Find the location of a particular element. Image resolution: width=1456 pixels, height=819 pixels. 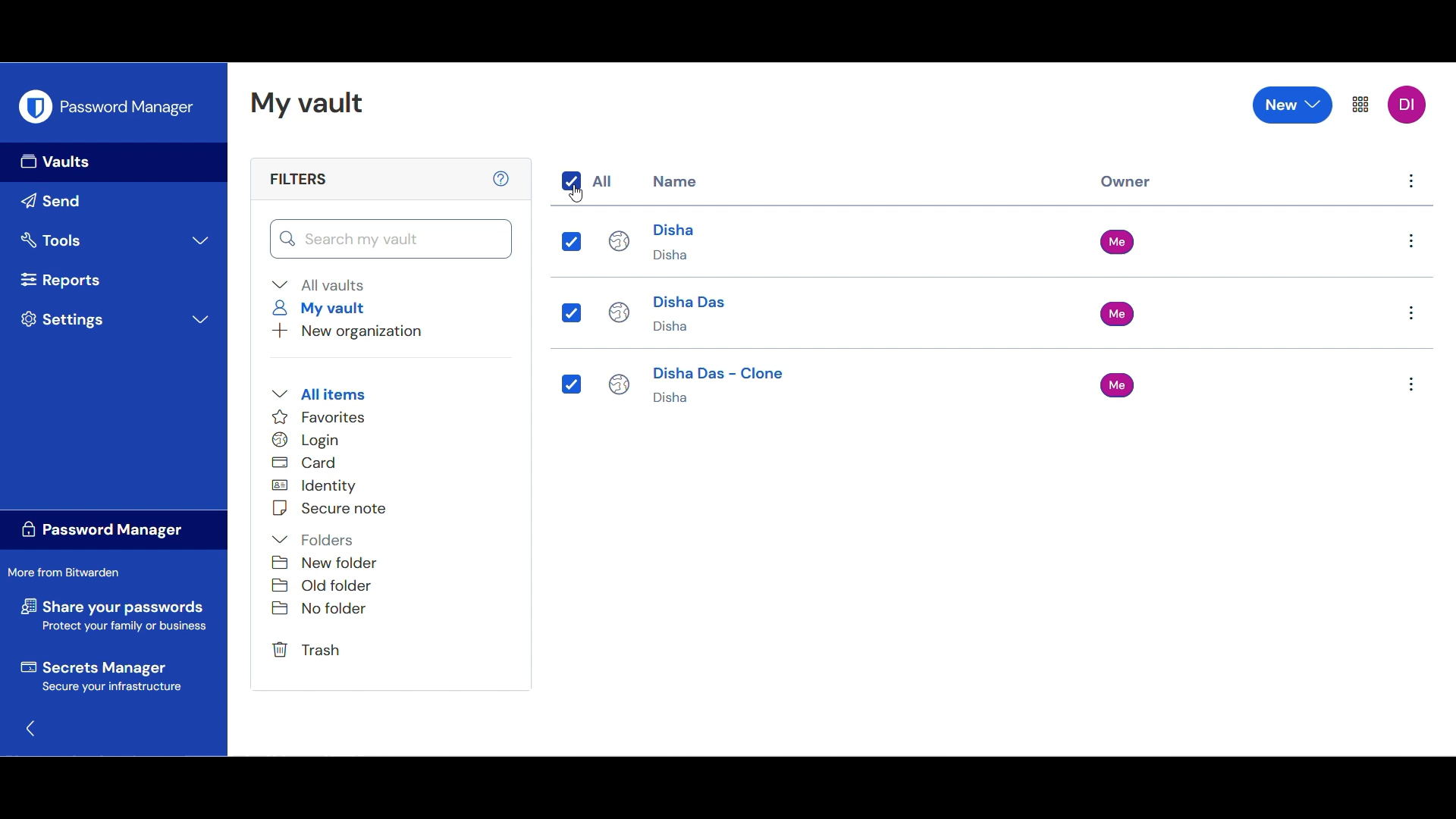

Disha Das - Clone       Disha is located at coordinates (698, 388).